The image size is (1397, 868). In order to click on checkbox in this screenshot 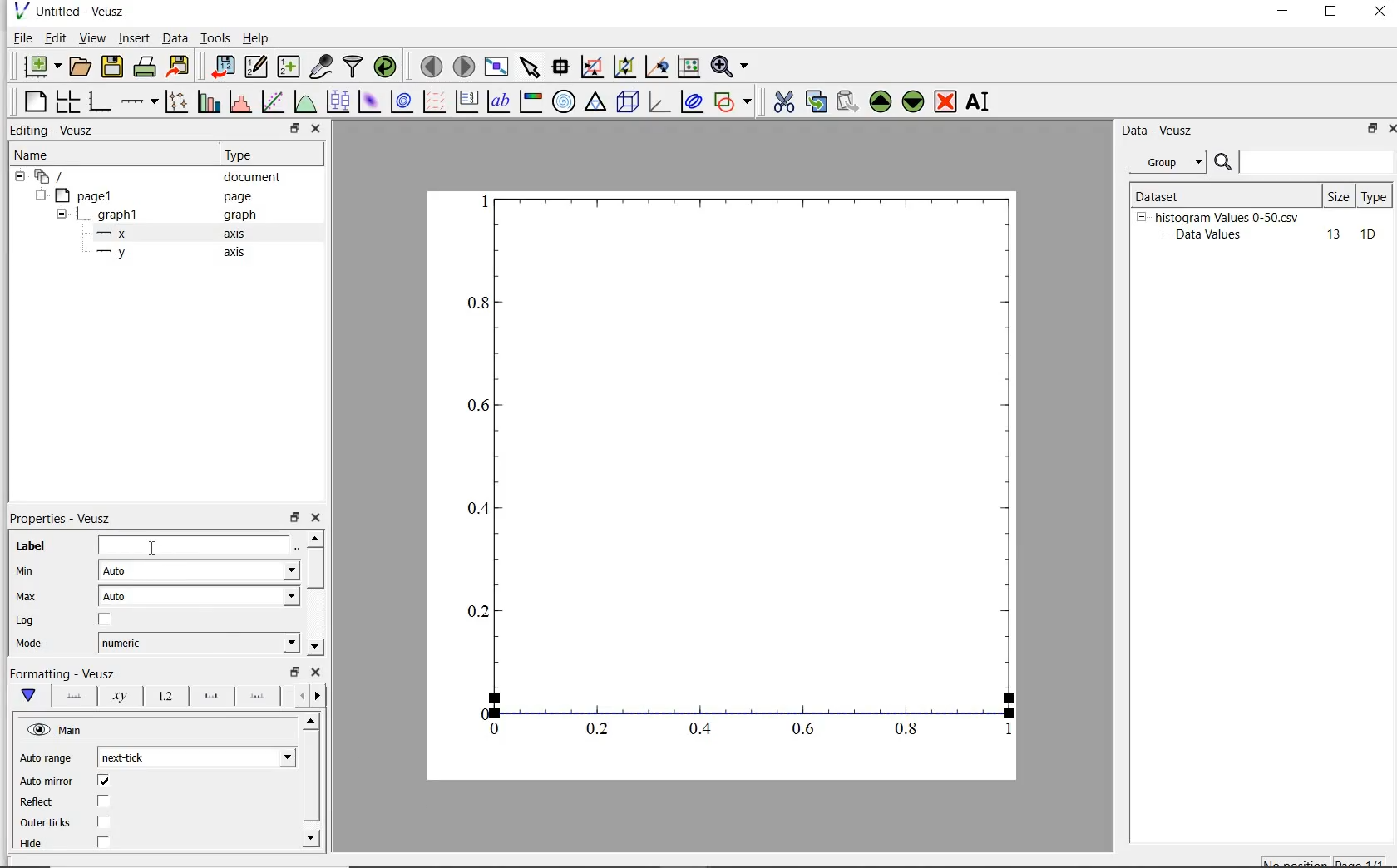, I will do `click(104, 822)`.